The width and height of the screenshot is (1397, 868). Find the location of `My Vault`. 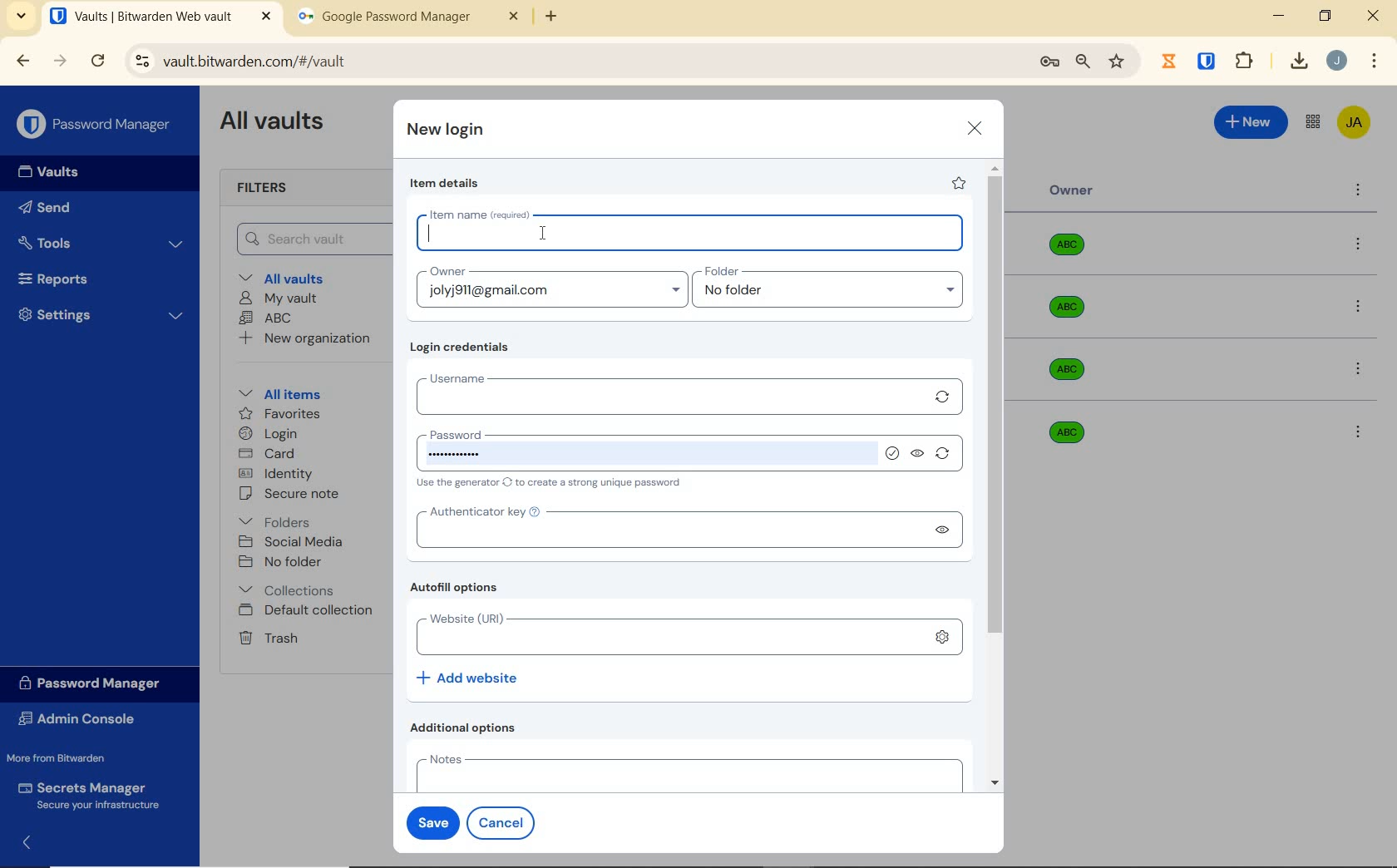

My Vault is located at coordinates (279, 298).